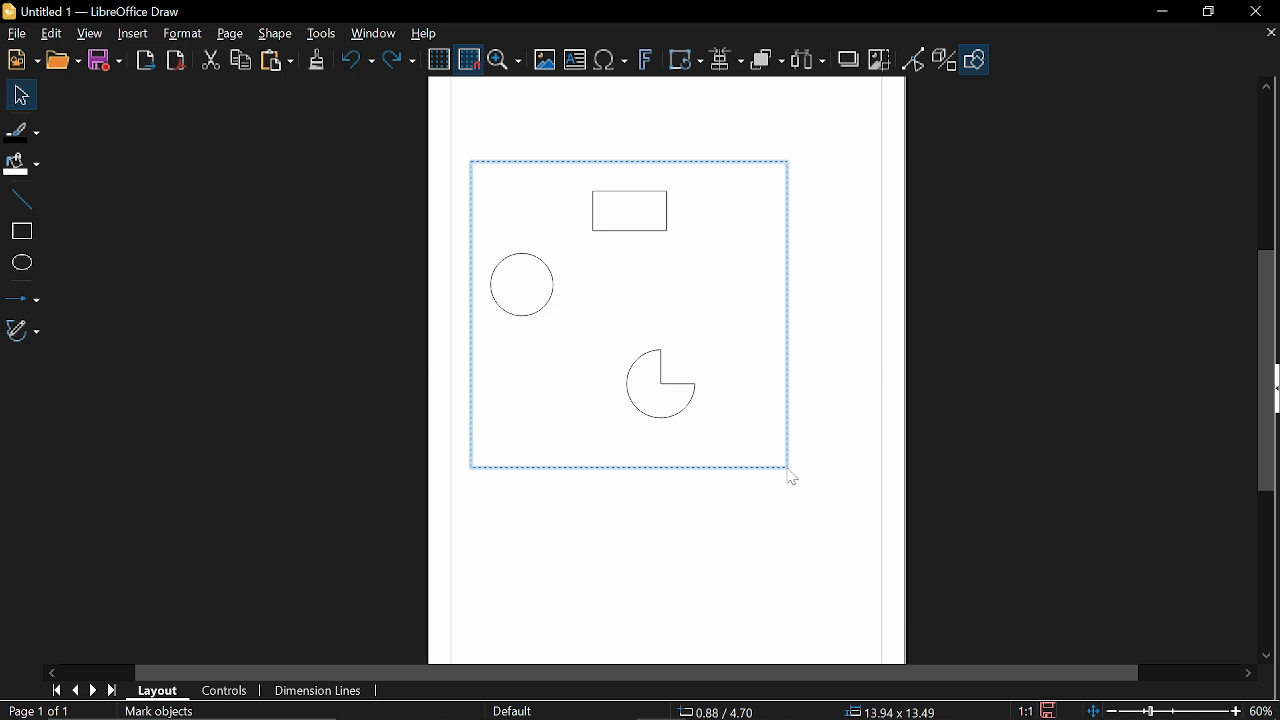 The width and height of the screenshot is (1280, 720). What do you see at coordinates (942, 61) in the screenshot?
I see `Toggle extrusion` at bounding box center [942, 61].